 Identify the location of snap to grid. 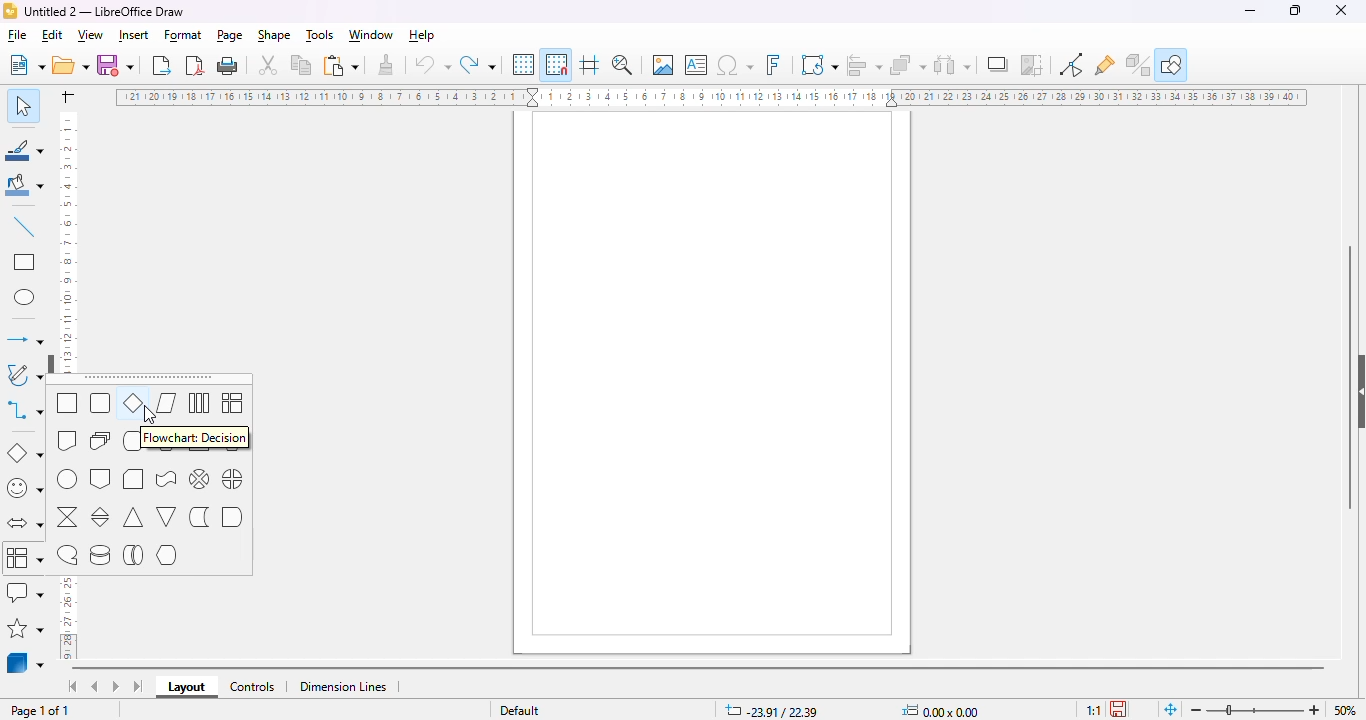
(557, 64).